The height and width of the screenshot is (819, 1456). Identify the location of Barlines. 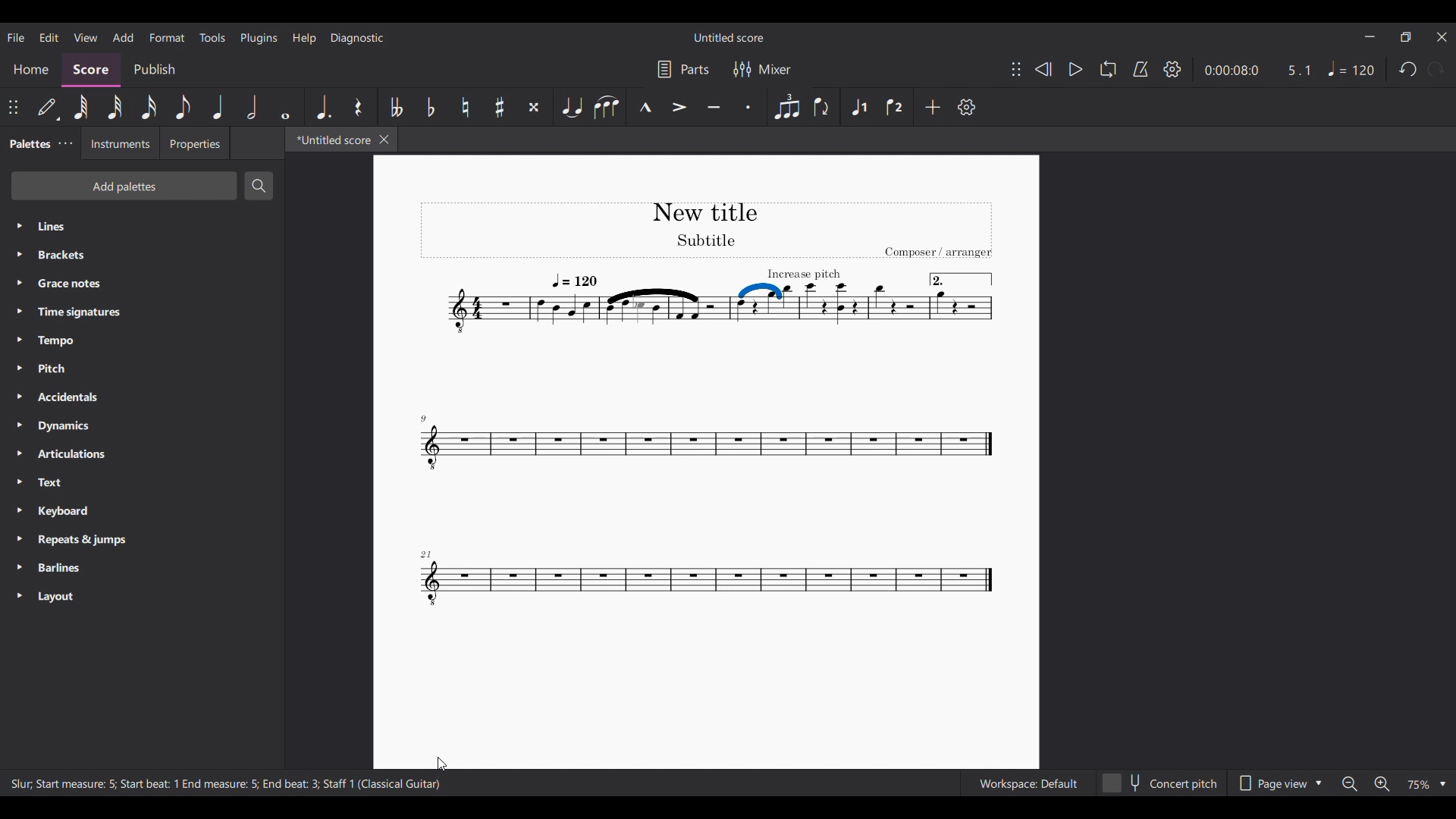
(142, 567).